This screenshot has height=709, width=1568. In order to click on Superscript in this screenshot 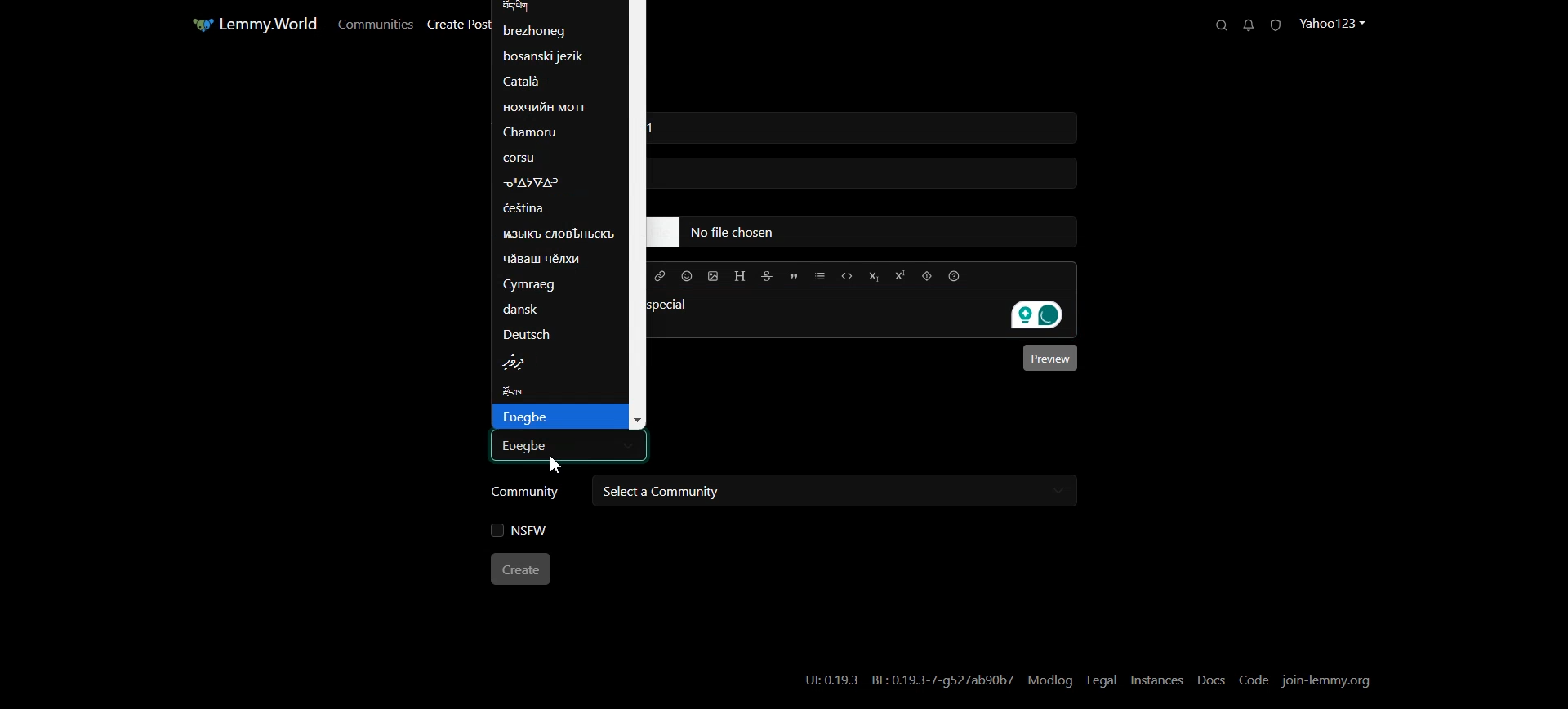, I will do `click(900, 275)`.